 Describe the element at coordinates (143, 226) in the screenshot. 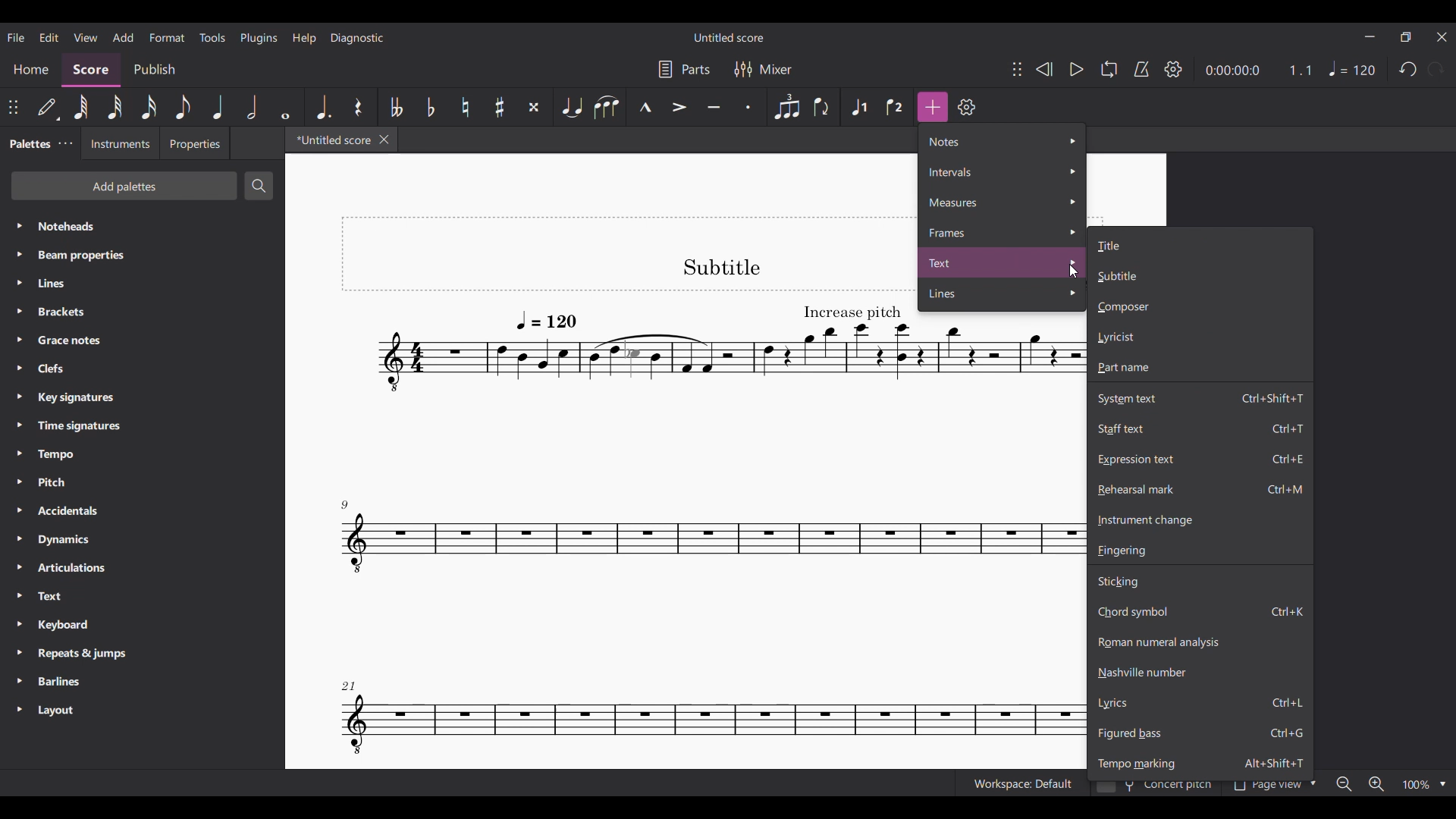

I see `Noteheads` at that location.